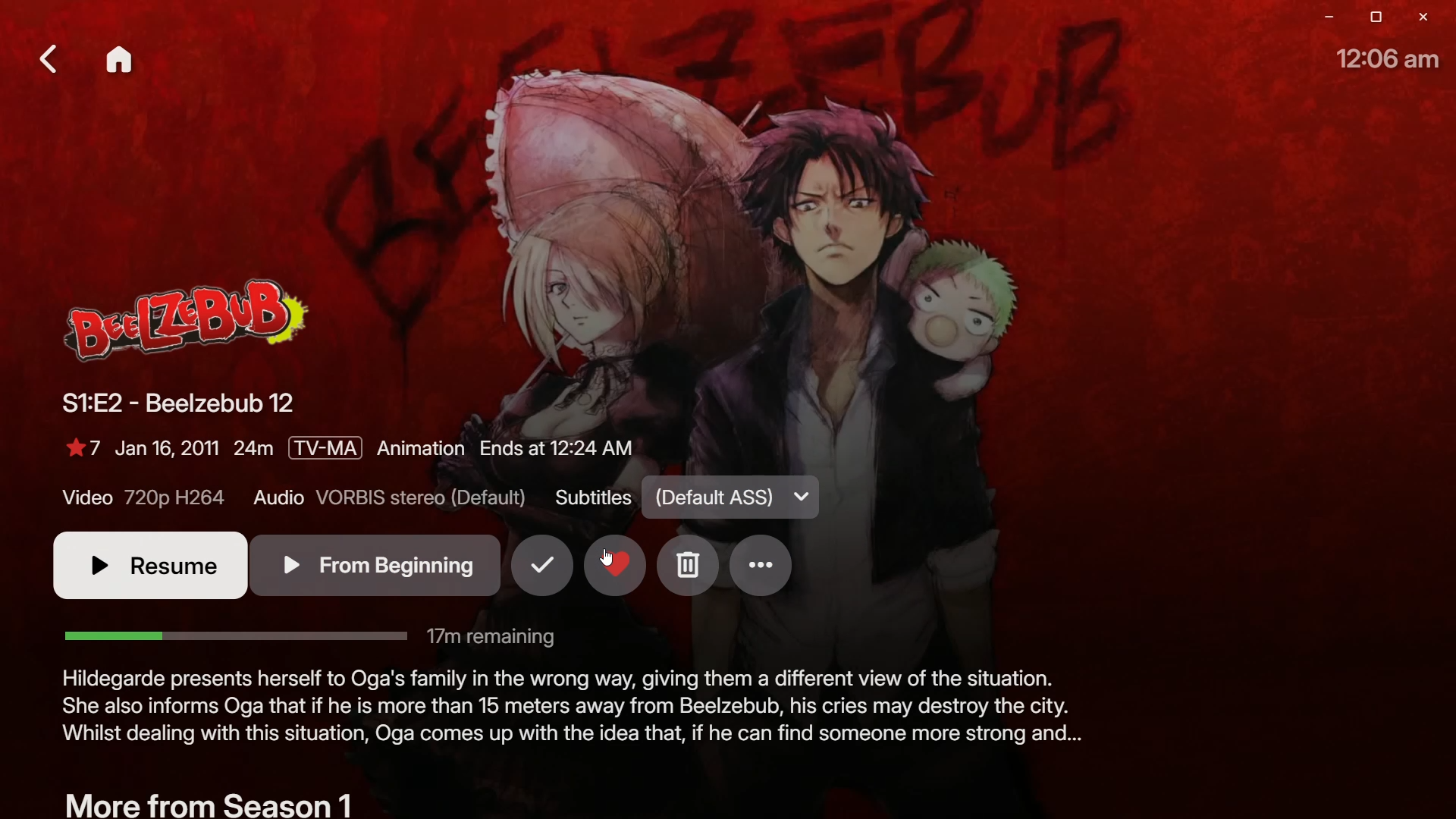  I want to click on Beelzebub 12, so click(175, 407).